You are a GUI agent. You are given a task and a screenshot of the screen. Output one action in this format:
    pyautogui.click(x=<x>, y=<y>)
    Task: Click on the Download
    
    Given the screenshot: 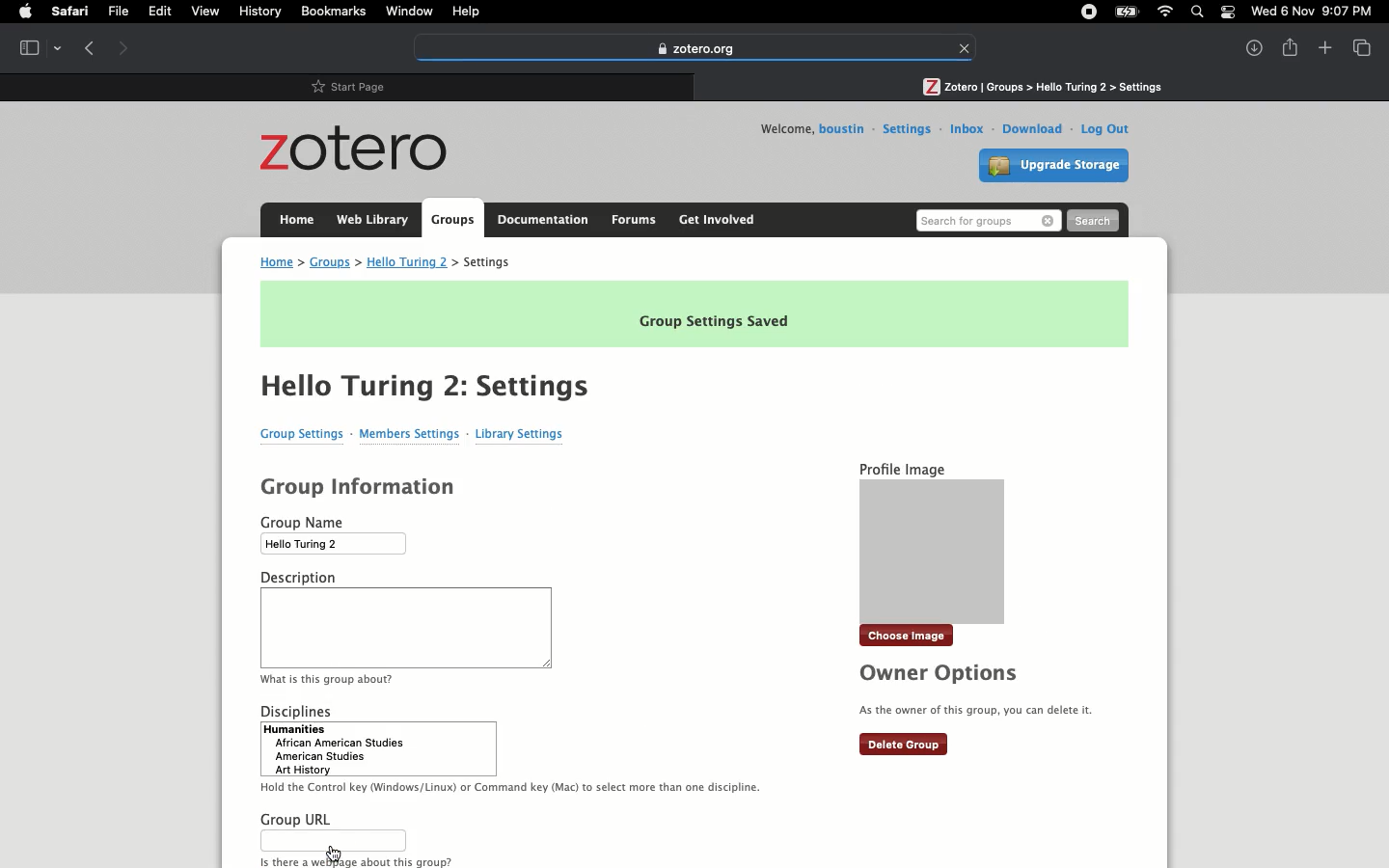 What is the action you would take?
    pyautogui.click(x=1032, y=128)
    